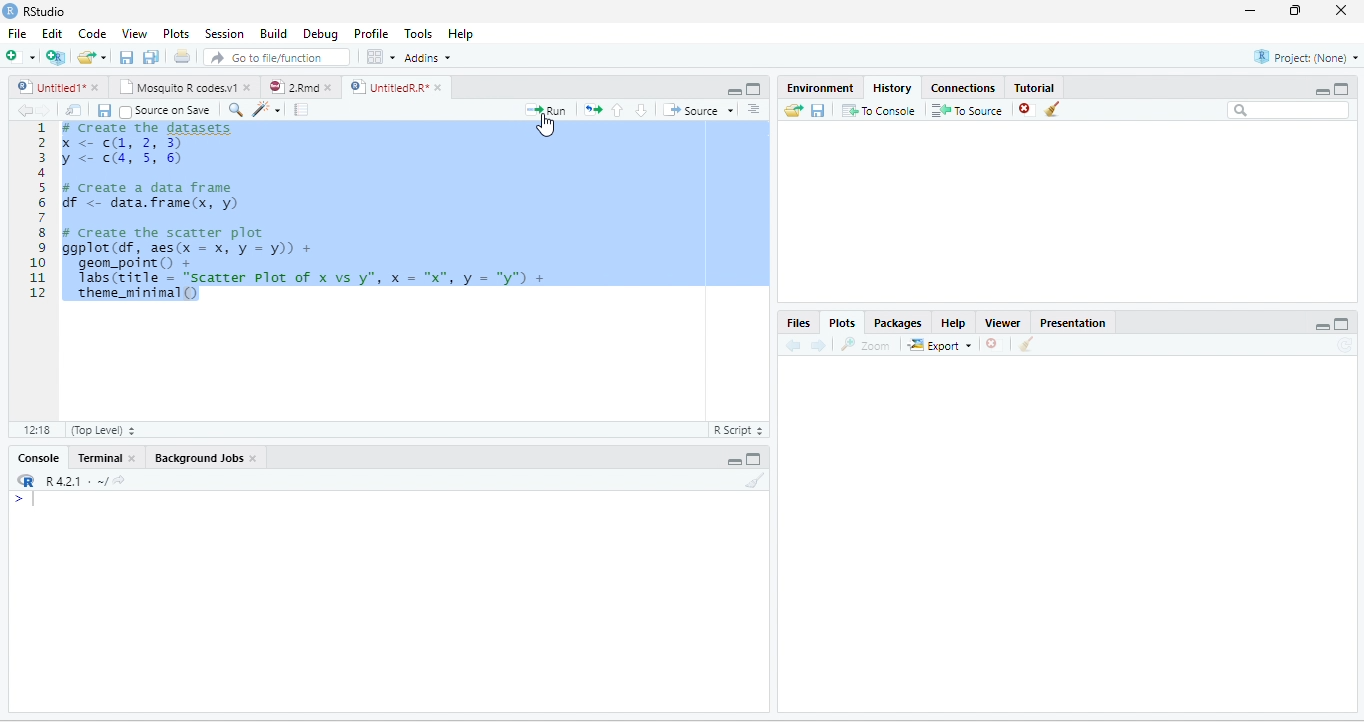 Image resolution: width=1364 pixels, height=722 pixels. What do you see at coordinates (593, 110) in the screenshot?
I see `Re-run the previous code region` at bounding box center [593, 110].